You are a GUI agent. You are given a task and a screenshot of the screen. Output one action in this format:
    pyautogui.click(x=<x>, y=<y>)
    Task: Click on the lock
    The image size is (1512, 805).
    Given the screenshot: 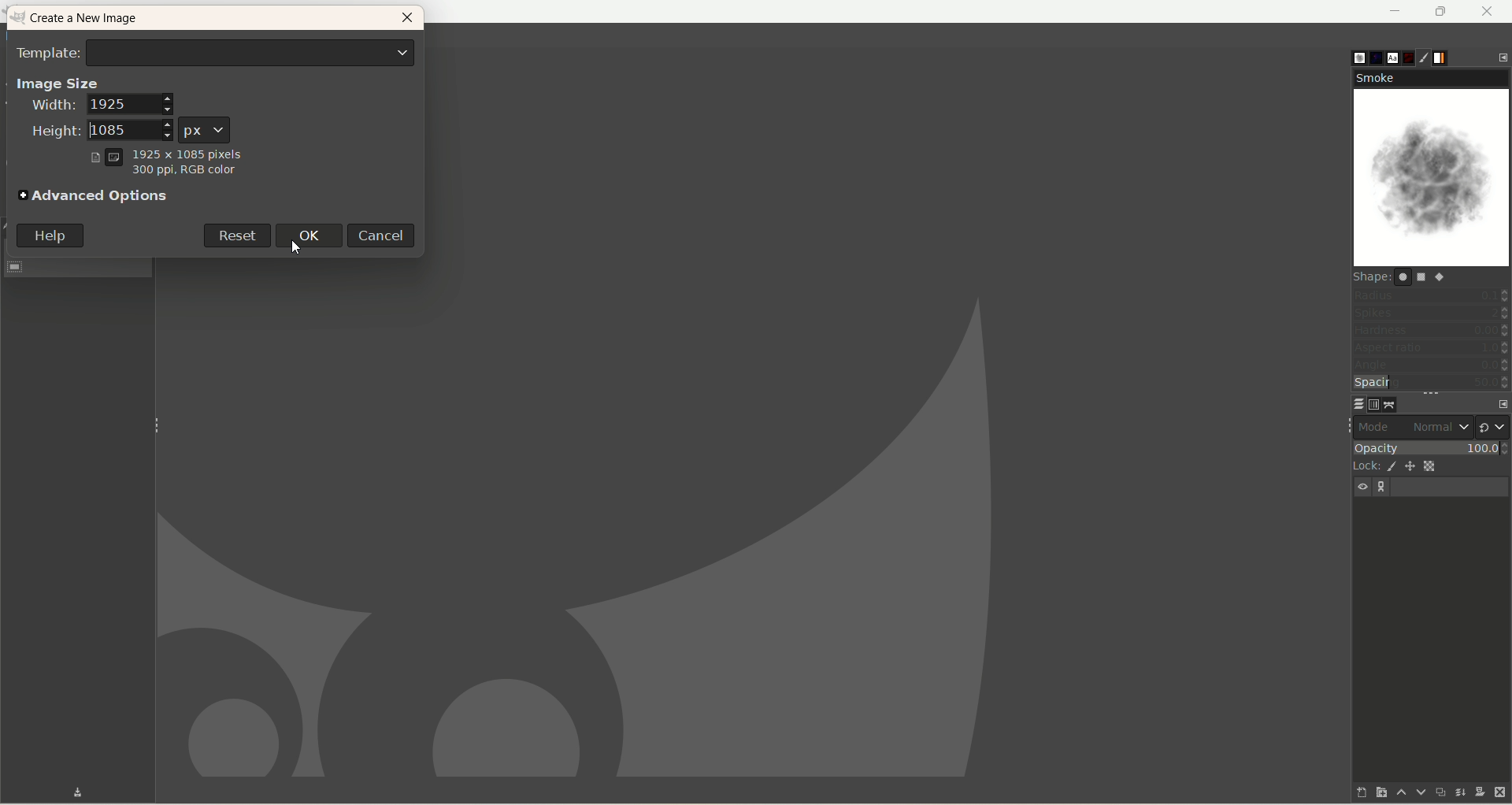 What is the action you would take?
    pyautogui.click(x=1362, y=465)
    